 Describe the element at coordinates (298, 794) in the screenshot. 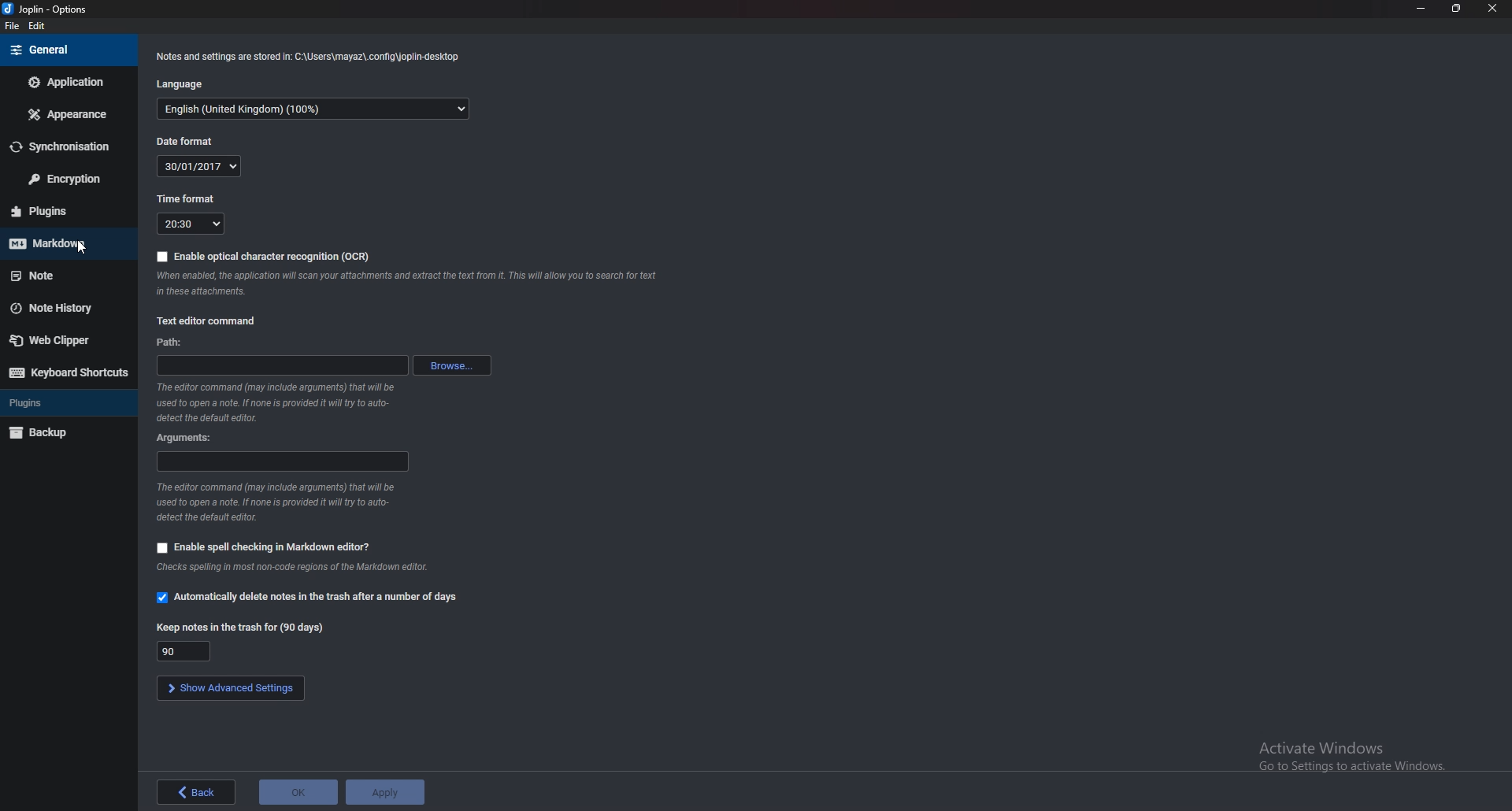

I see `ok` at that location.